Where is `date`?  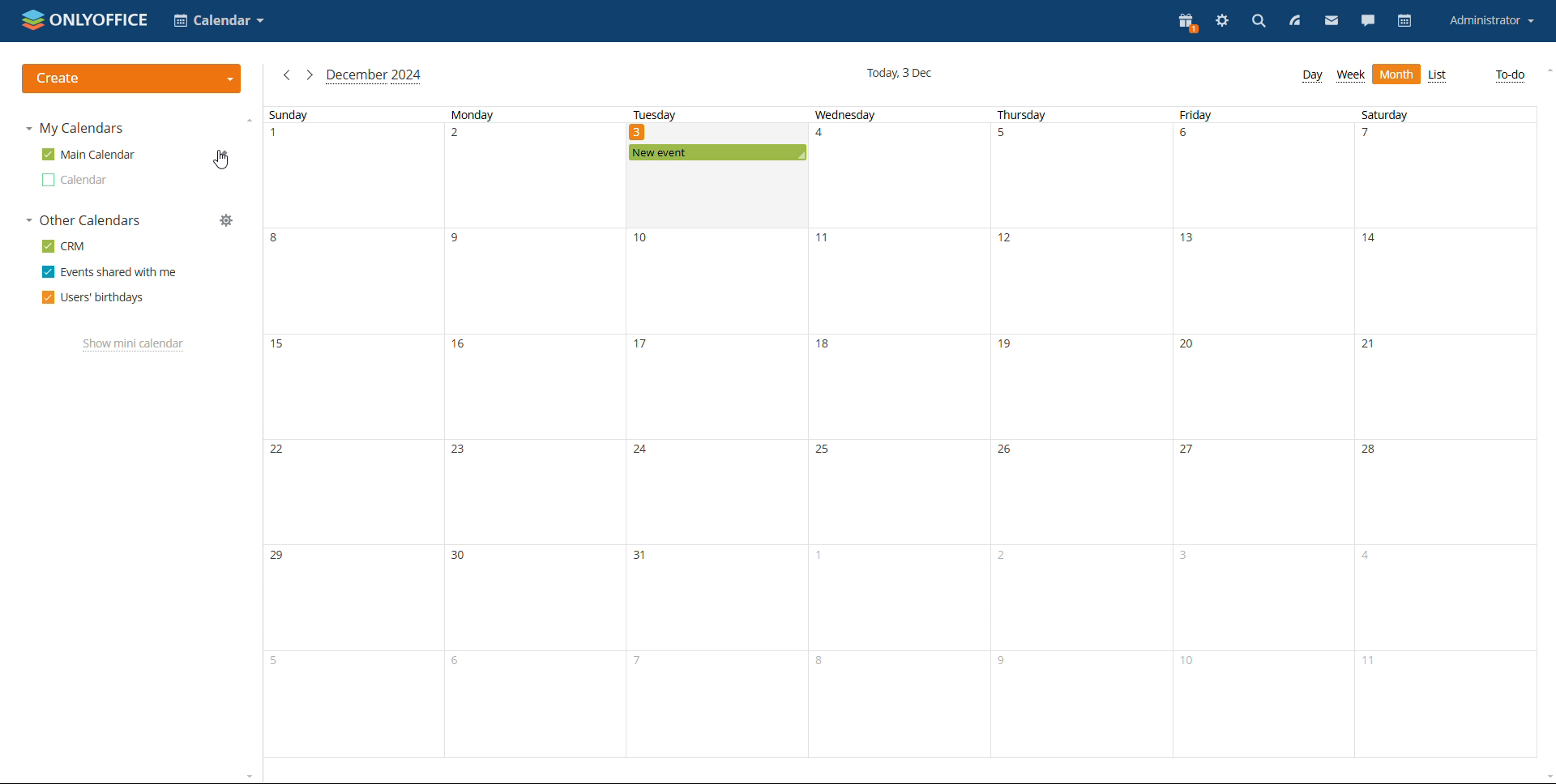 date is located at coordinates (719, 598).